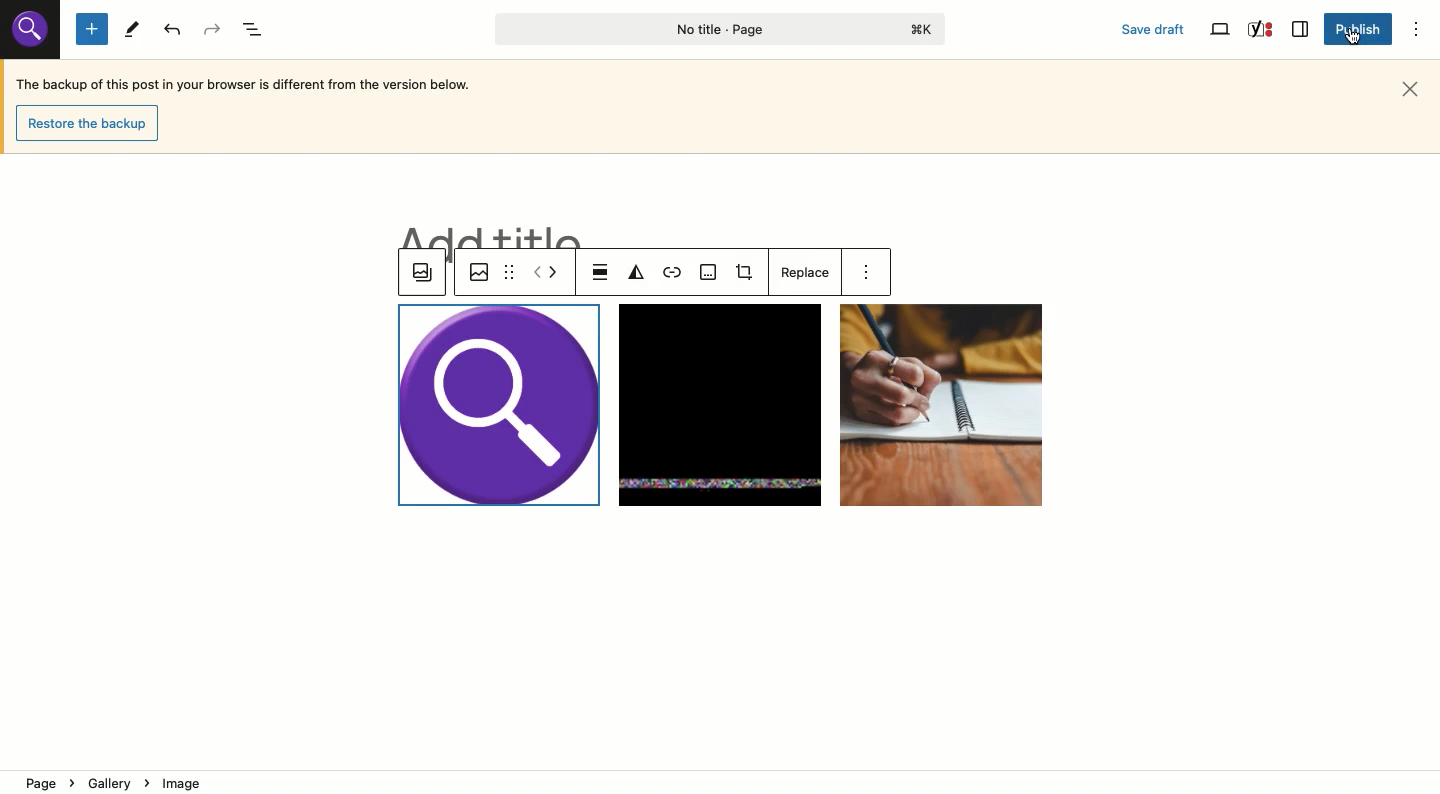  Describe the element at coordinates (1156, 31) in the screenshot. I see `Save draft` at that location.